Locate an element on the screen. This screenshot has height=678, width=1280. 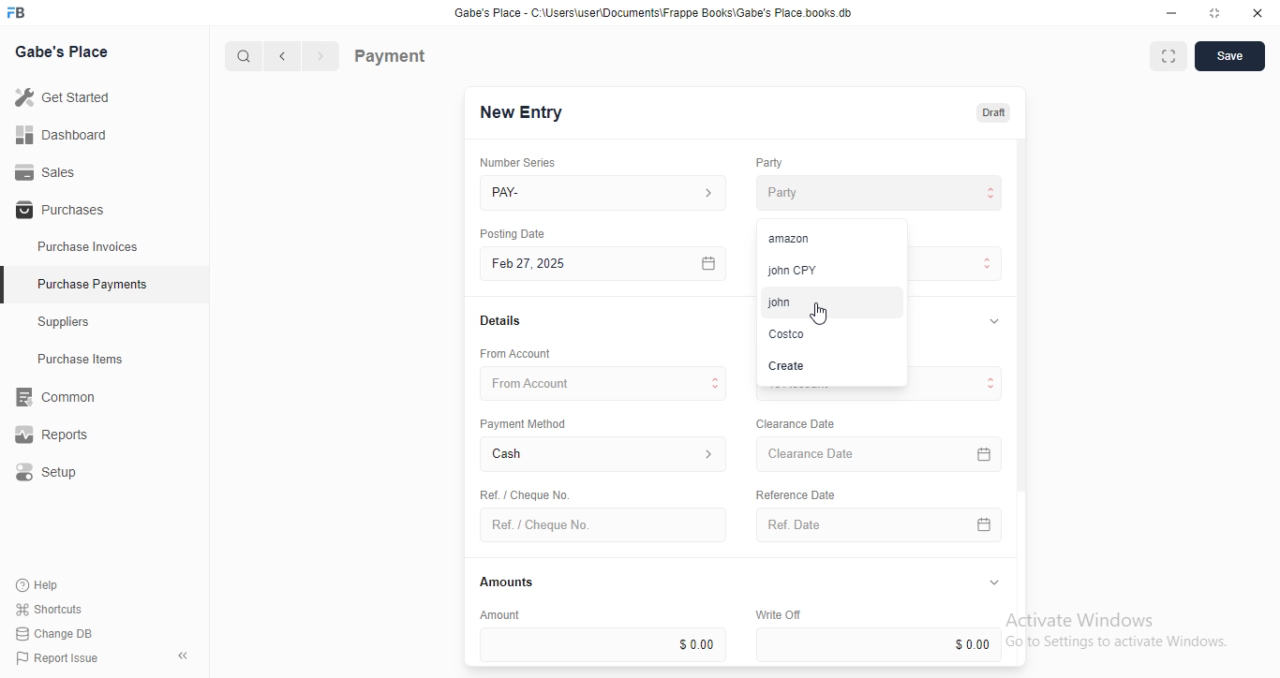
‘Payment Method is located at coordinates (522, 423).